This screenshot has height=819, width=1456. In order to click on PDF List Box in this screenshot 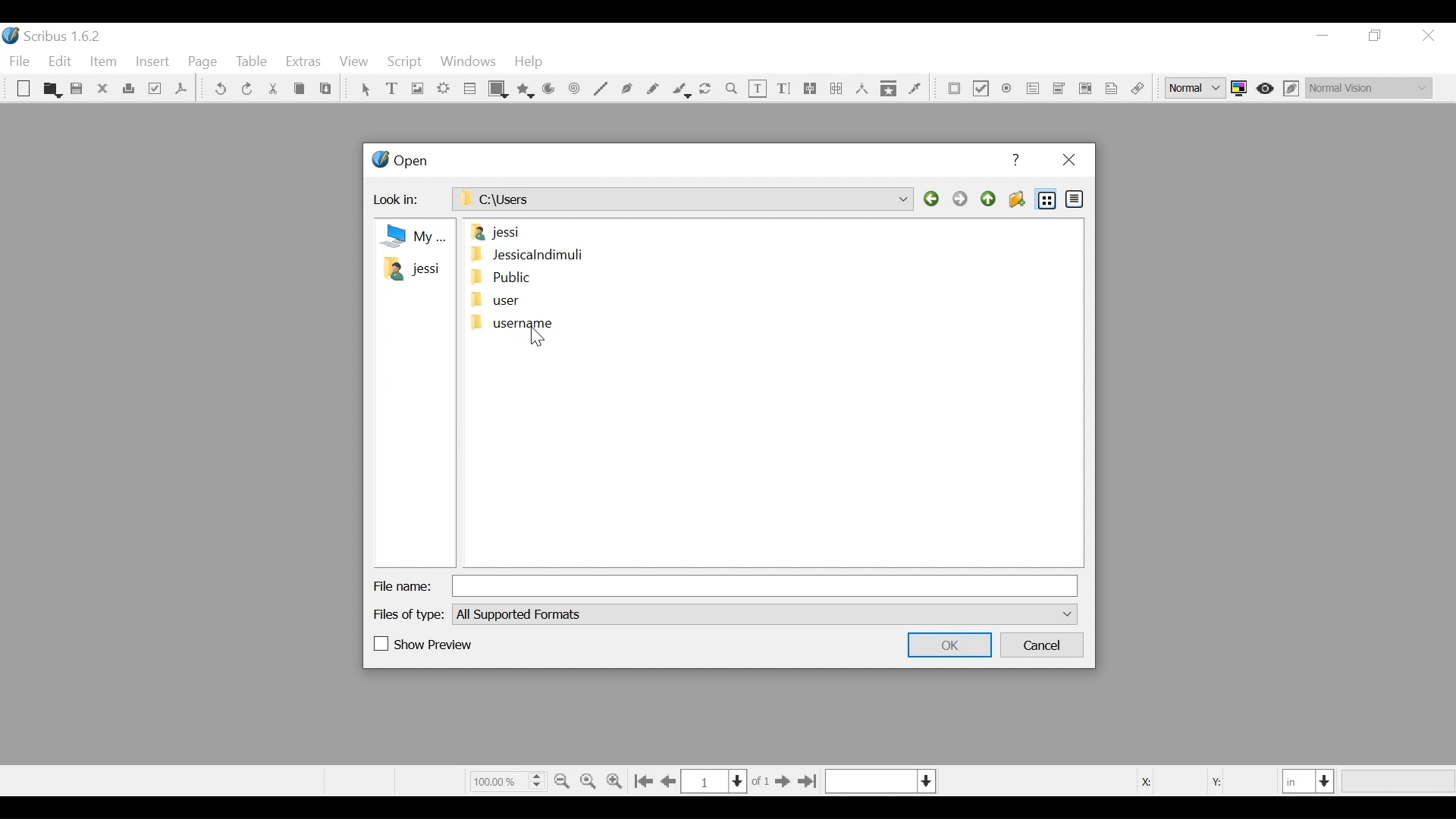, I will do `click(1059, 89)`.